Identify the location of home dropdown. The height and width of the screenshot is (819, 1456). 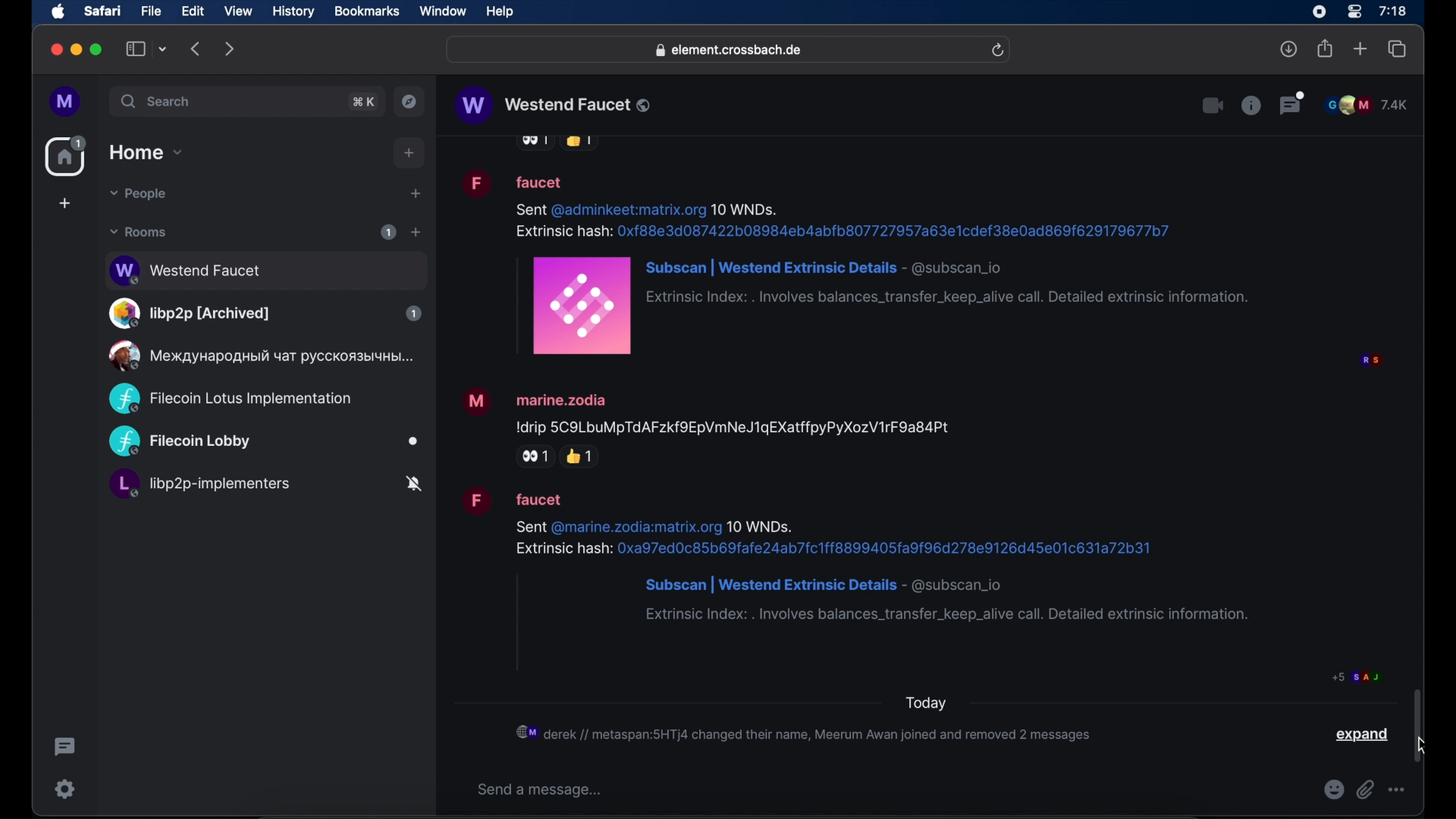
(146, 152).